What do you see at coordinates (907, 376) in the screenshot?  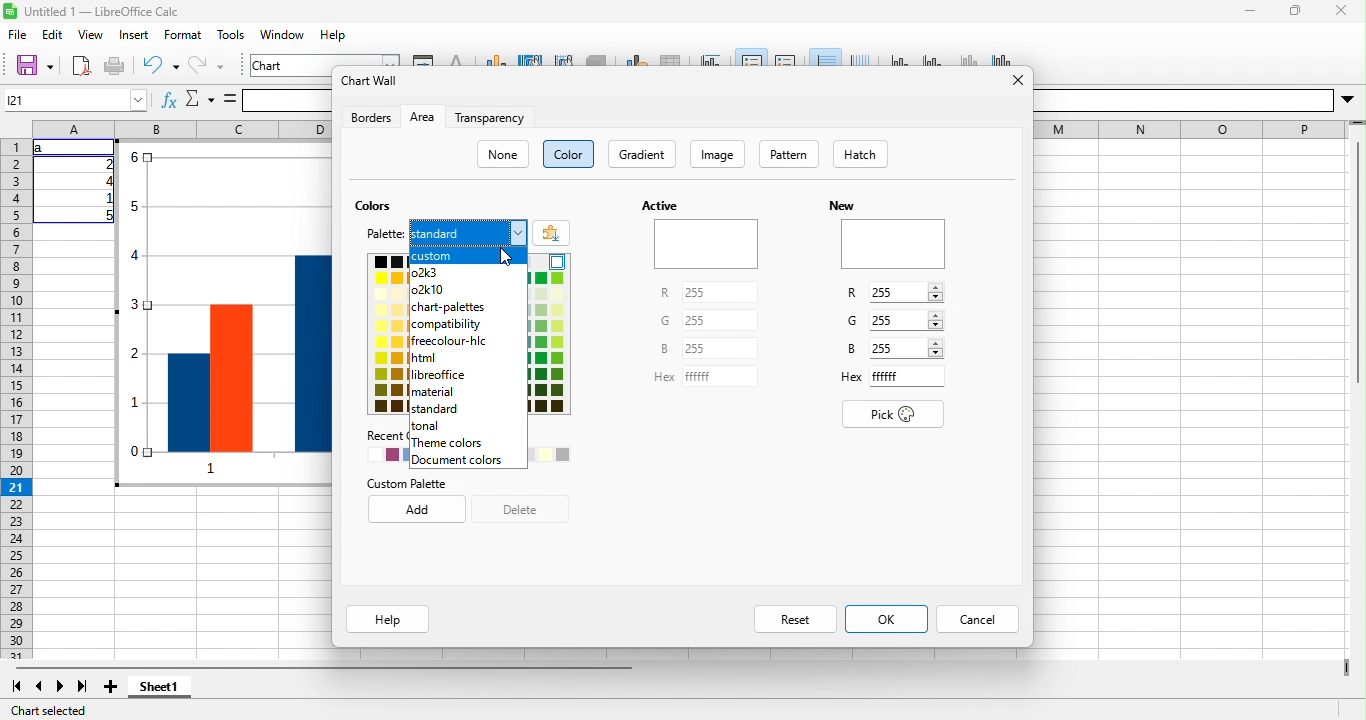 I see `Input for Hex code` at bounding box center [907, 376].